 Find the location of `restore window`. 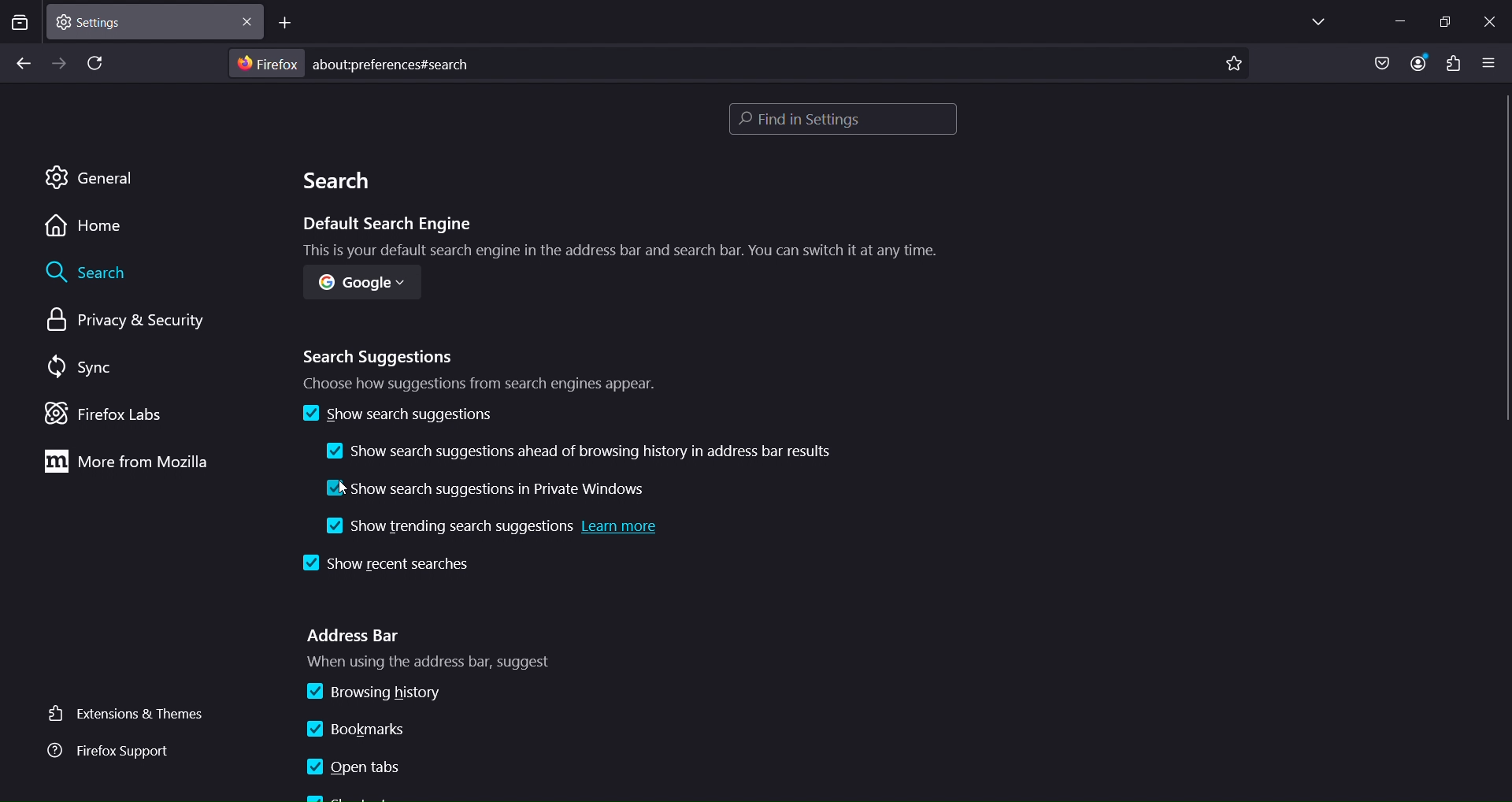

restore window is located at coordinates (1444, 21).